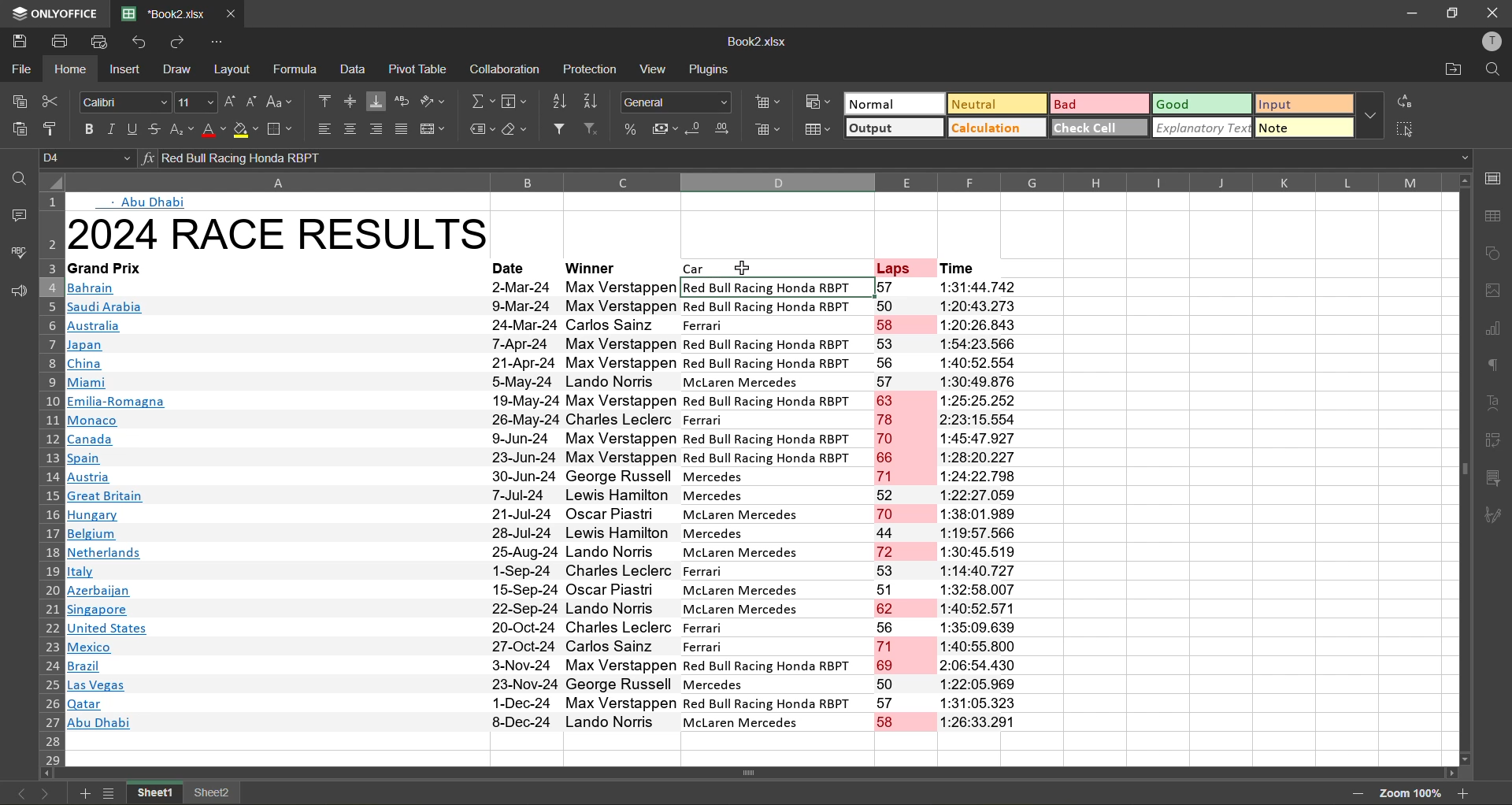  I want to click on zoom in, so click(1464, 794).